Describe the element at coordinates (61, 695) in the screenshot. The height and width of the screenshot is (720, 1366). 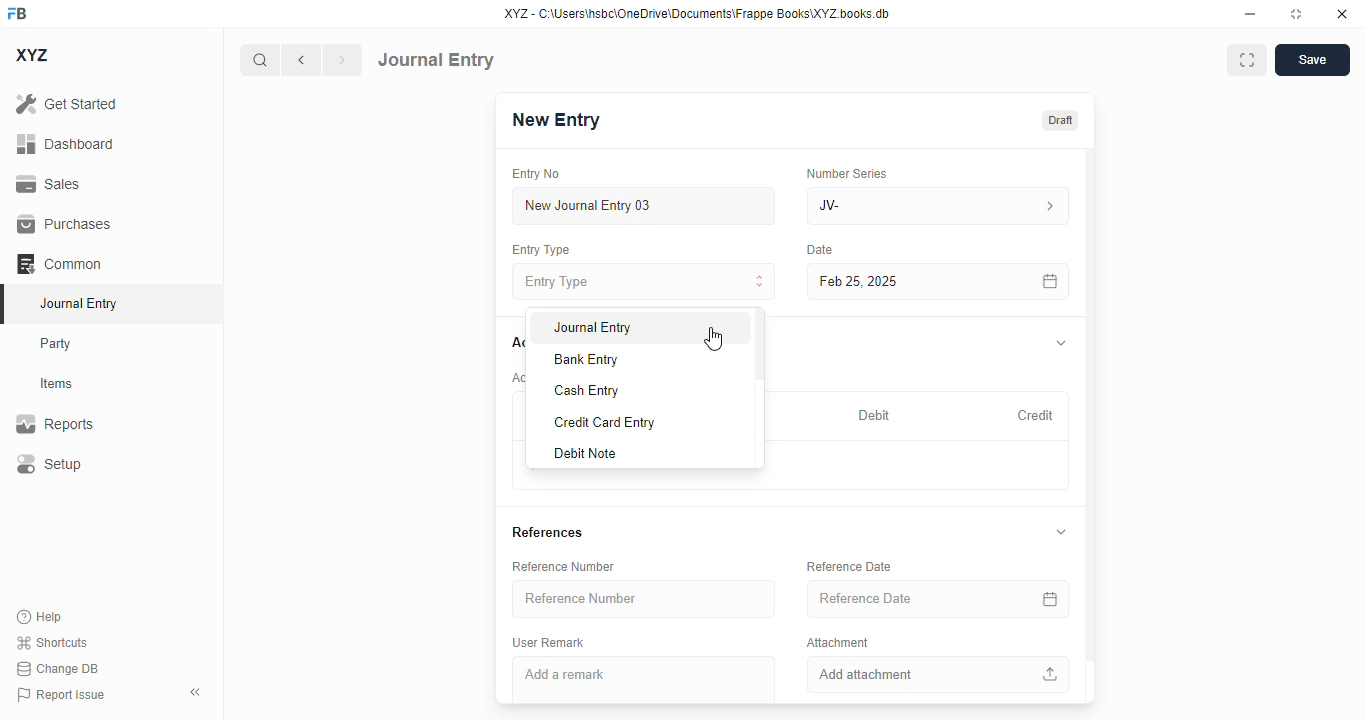
I see `report issue` at that location.